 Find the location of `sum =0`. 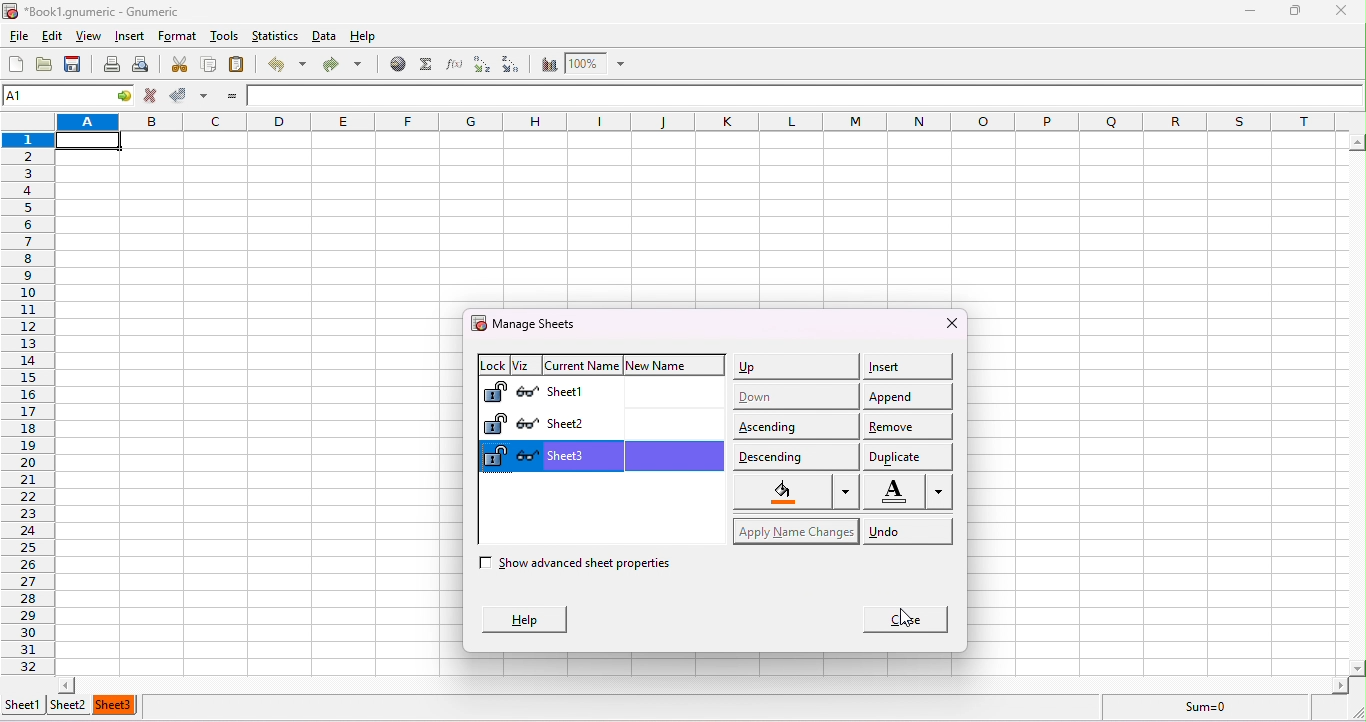

sum =0 is located at coordinates (1221, 710).